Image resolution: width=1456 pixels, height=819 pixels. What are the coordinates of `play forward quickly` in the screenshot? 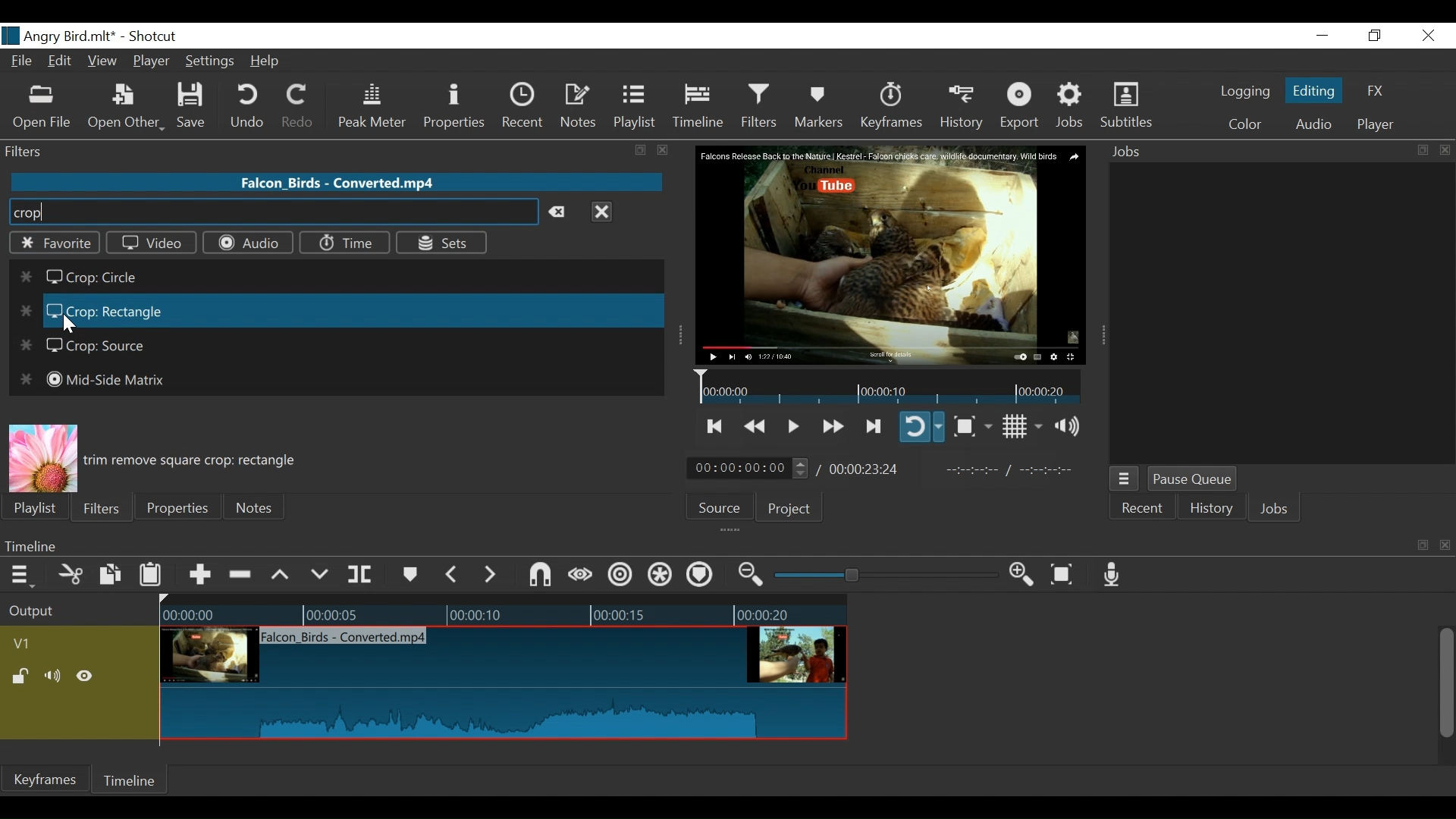 It's located at (831, 428).